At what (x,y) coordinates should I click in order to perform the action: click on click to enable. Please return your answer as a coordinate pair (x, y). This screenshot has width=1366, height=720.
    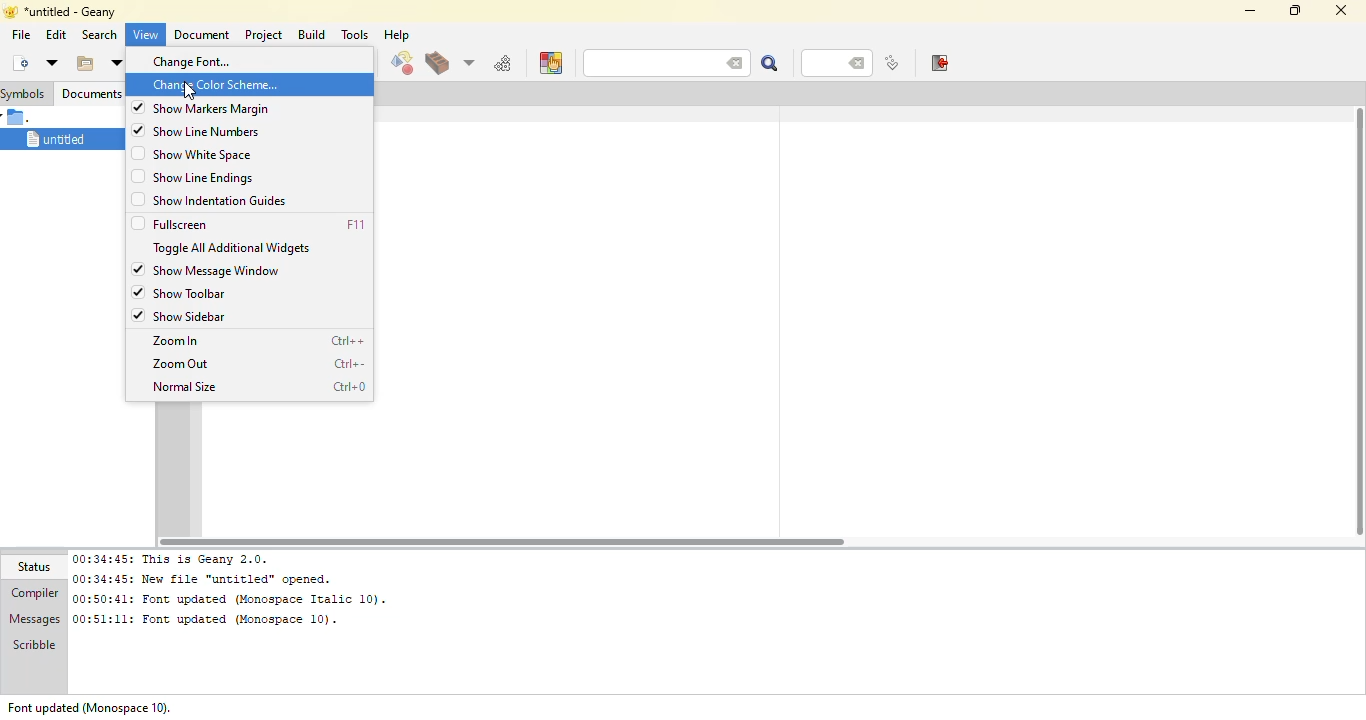
    Looking at the image, I should click on (136, 154).